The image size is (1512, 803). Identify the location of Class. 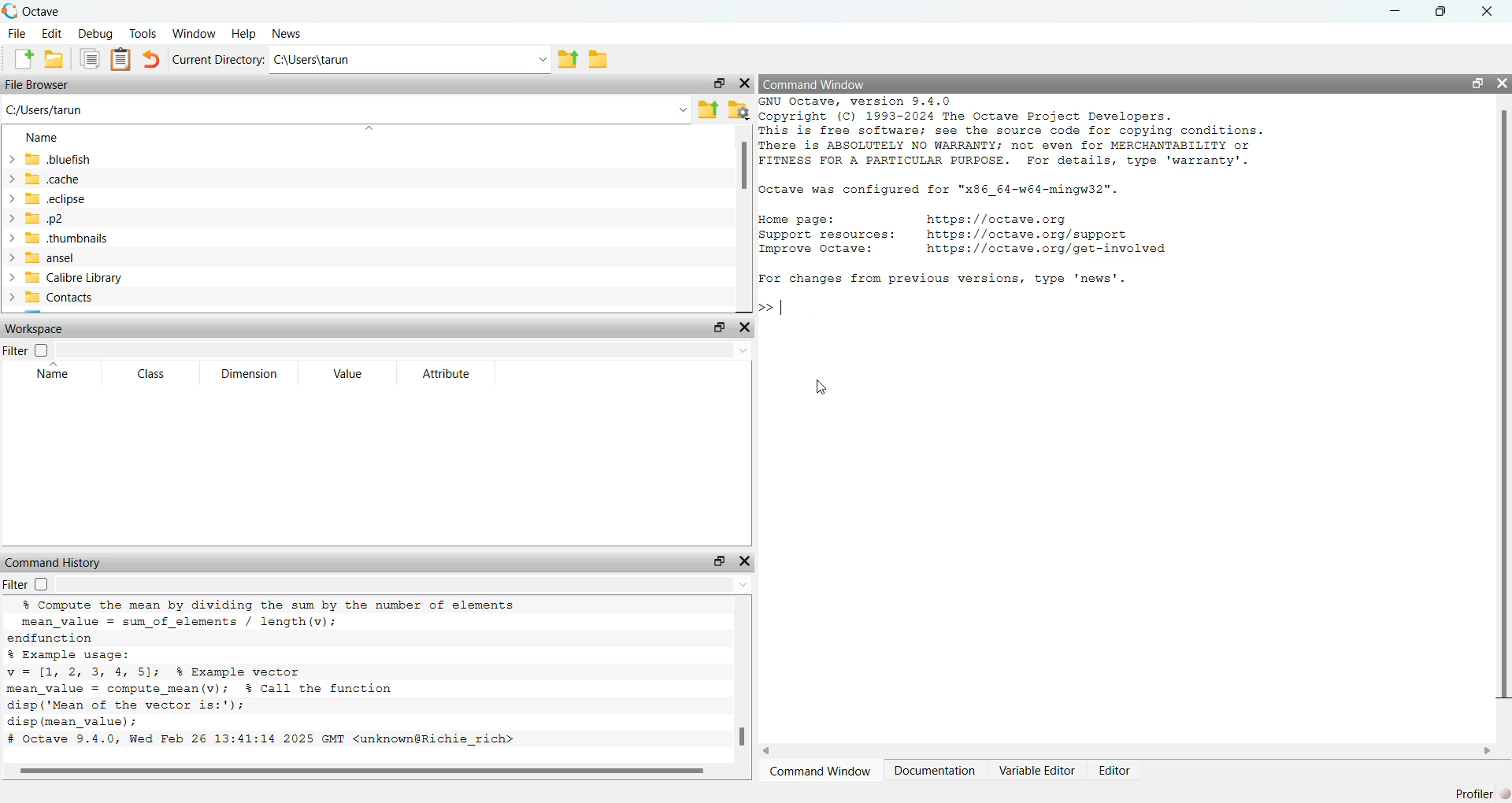
(151, 373).